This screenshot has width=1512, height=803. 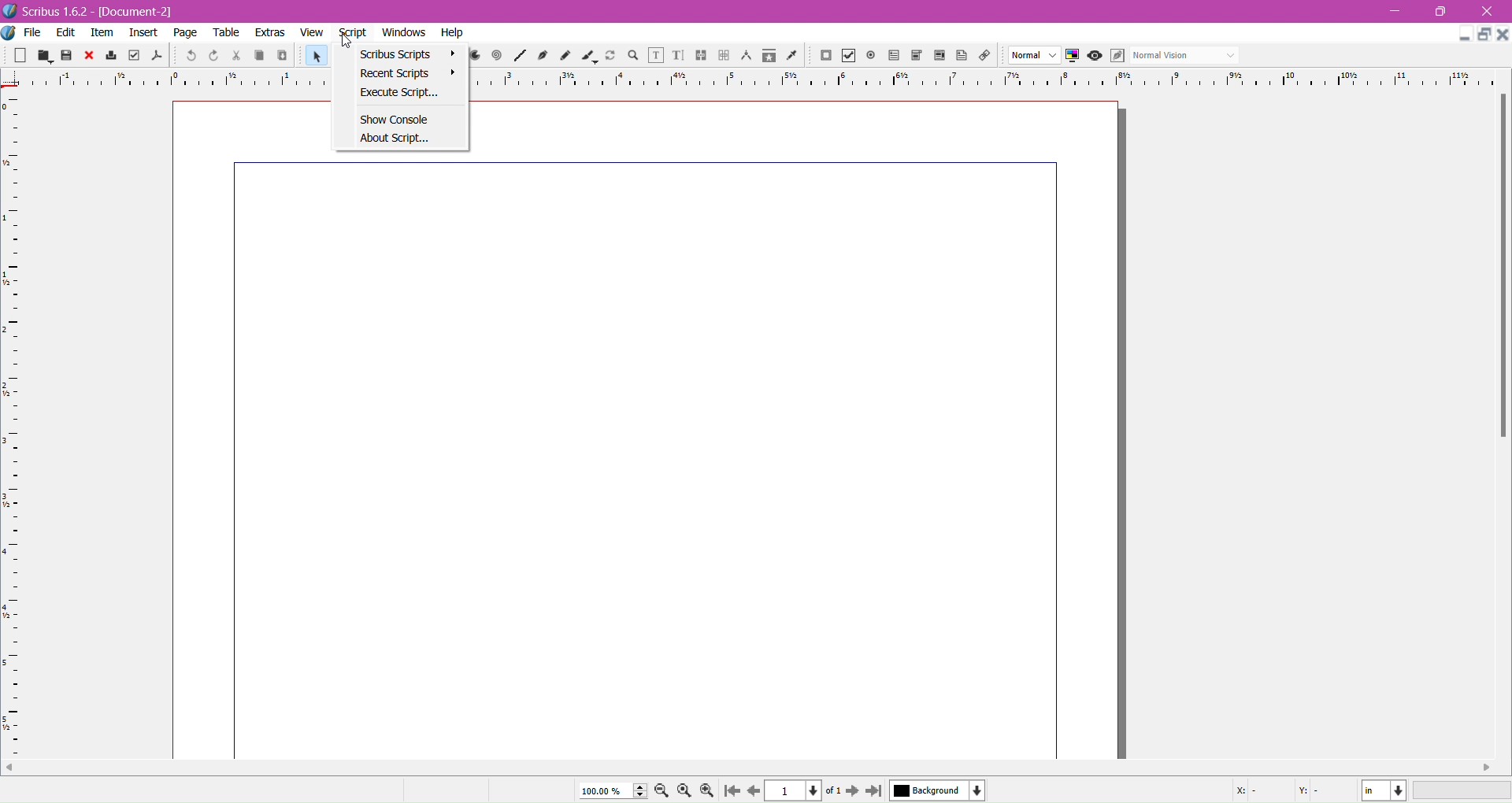 I want to click on Rotate Item, so click(x=610, y=56).